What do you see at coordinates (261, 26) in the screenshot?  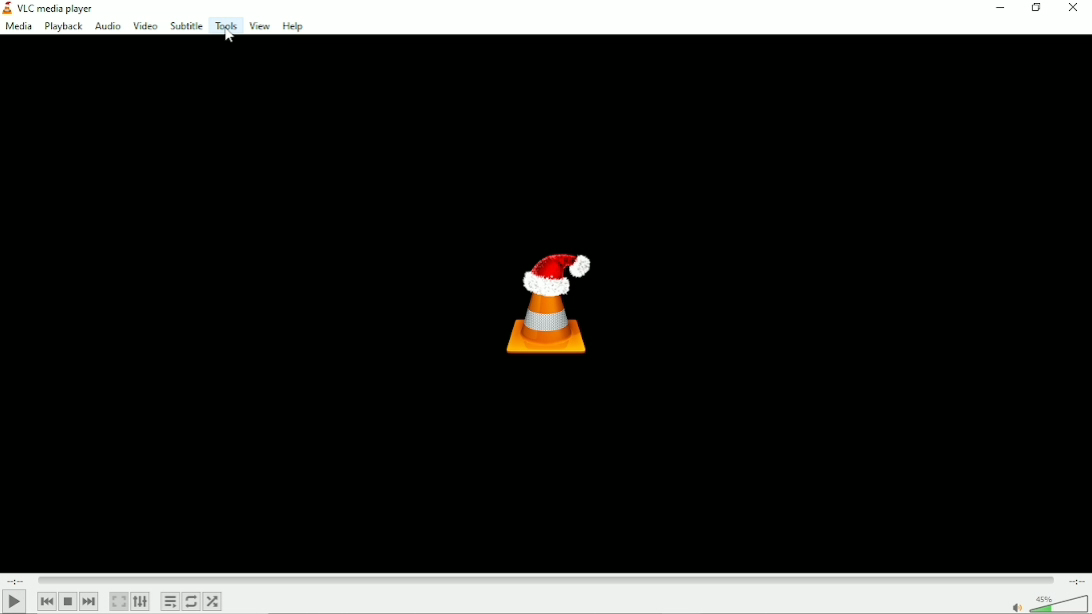 I see `View` at bounding box center [261, 26].